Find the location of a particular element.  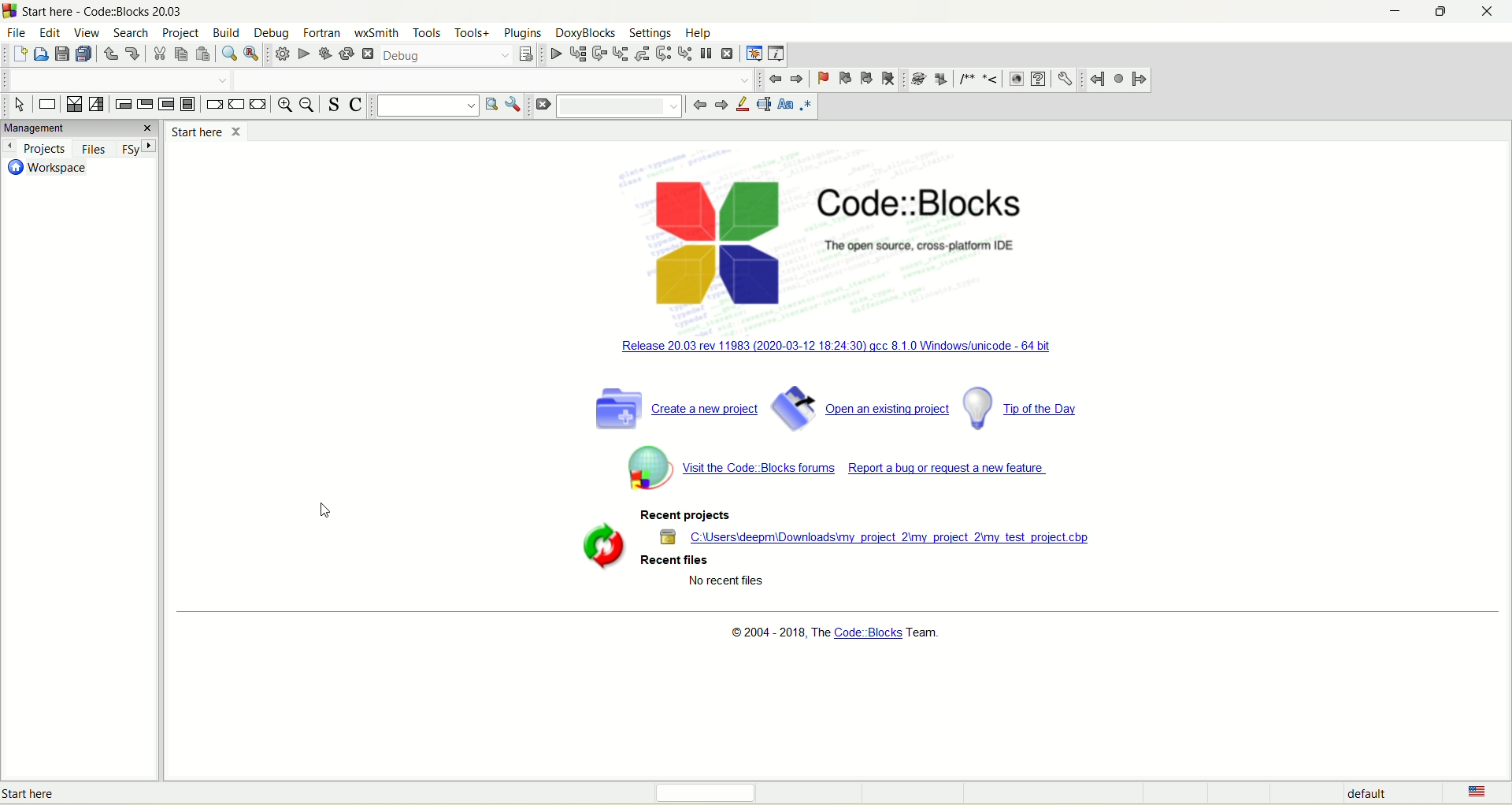

text search is located at coordinates (424, 106).